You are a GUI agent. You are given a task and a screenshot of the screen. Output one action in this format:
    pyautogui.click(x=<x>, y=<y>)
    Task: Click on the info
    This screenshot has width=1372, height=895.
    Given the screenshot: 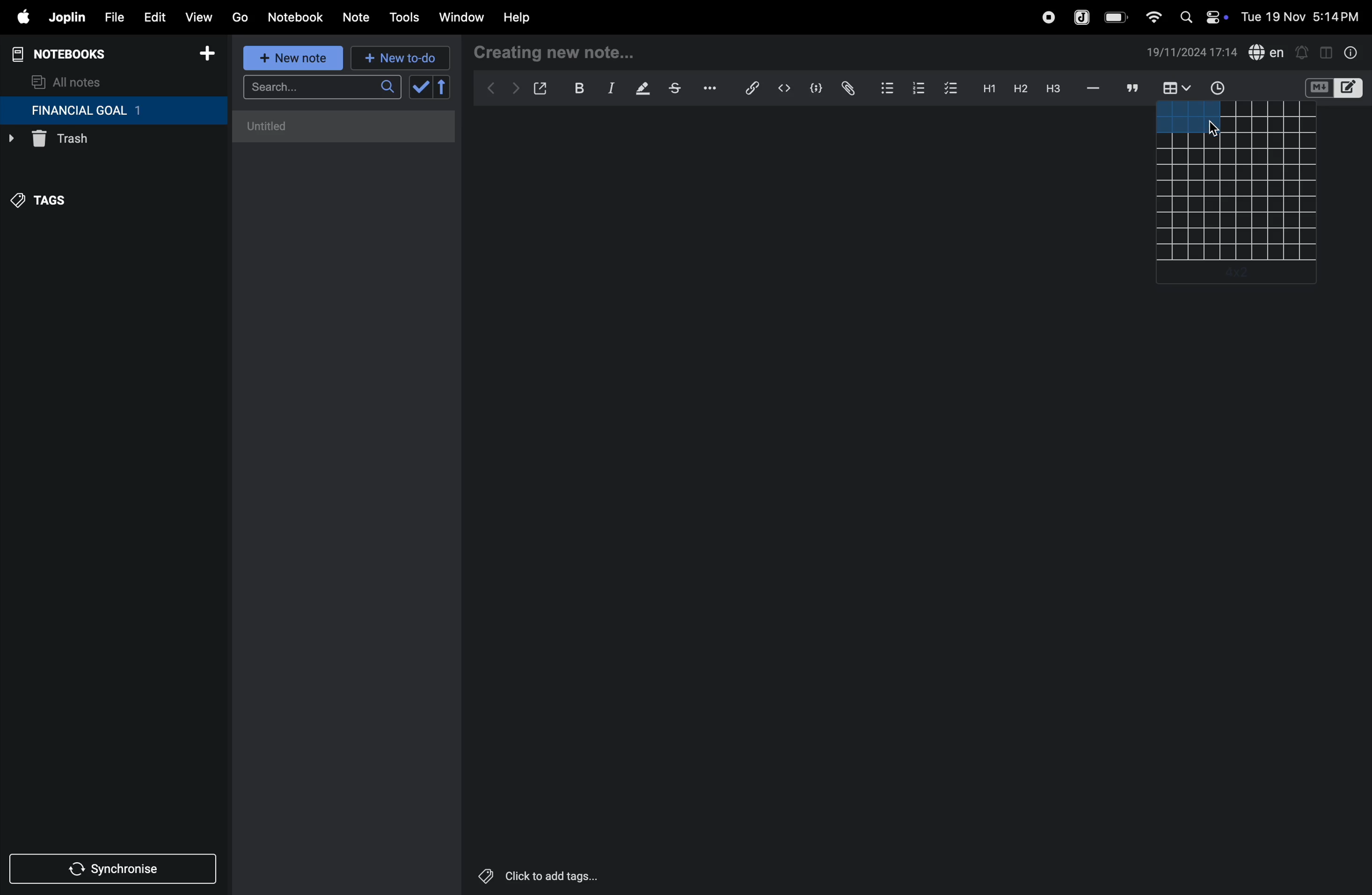 What is the action you would take?
    pyautogui.click(x=1352, y=52)
    